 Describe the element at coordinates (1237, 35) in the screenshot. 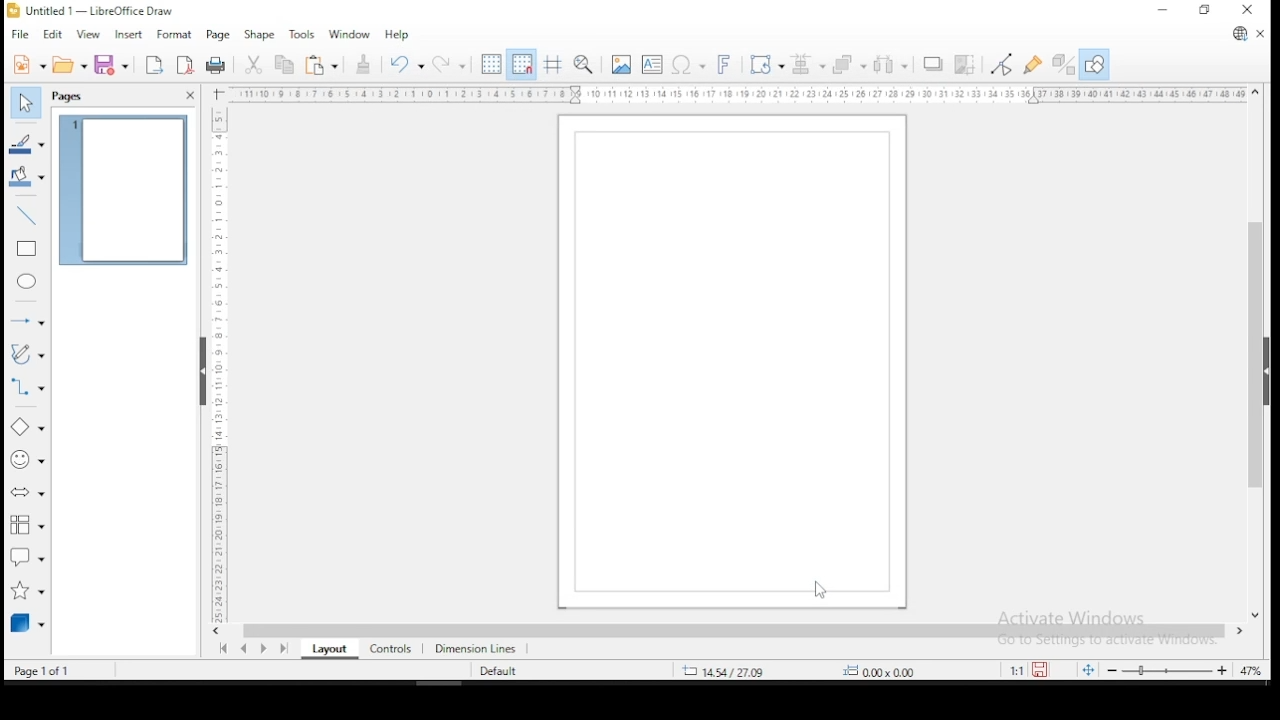

I see `libreoffice update` at that location.